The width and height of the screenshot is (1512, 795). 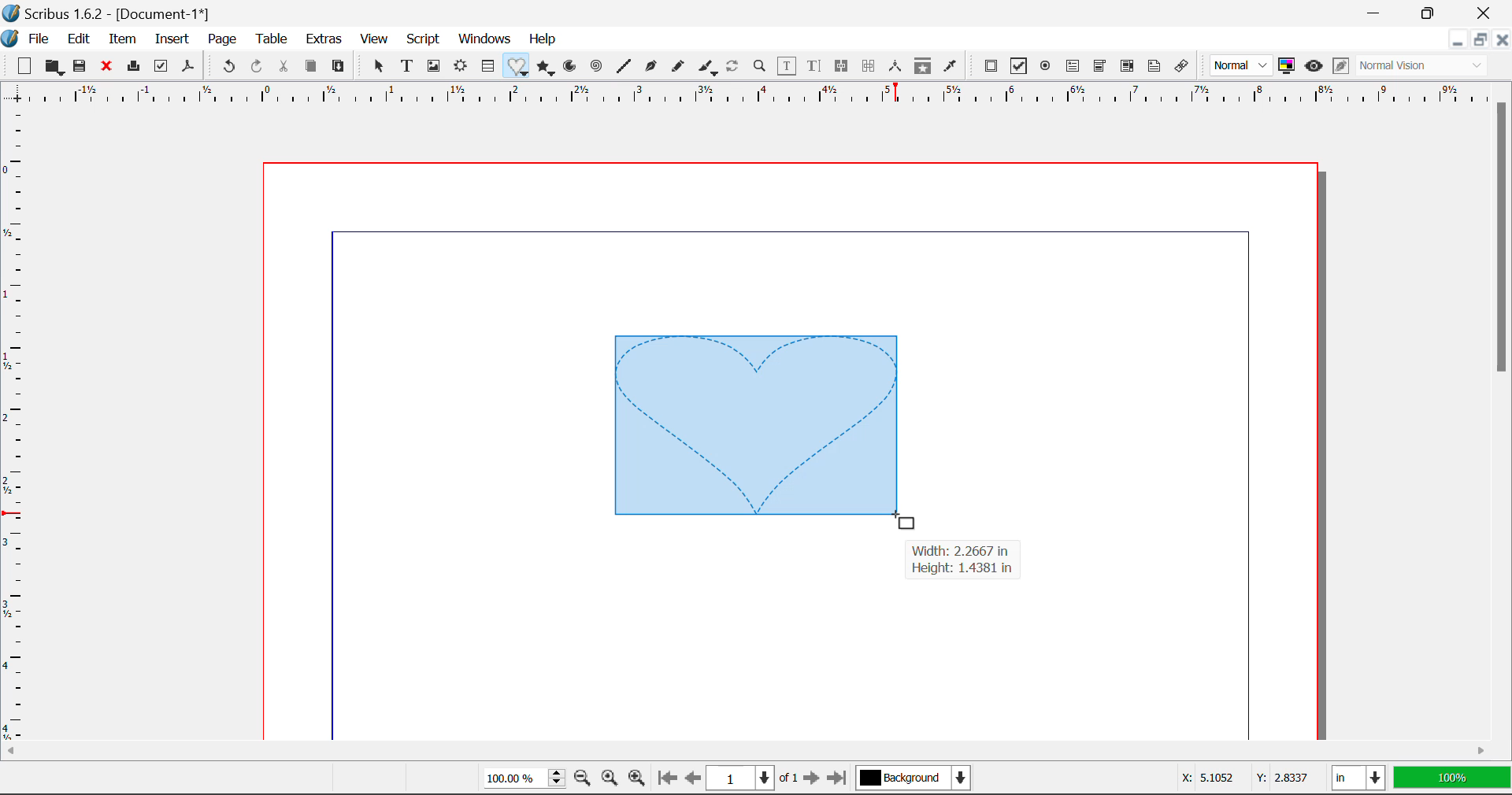 I want to click on Y: 2.8337, so click(x=1280, y=778).